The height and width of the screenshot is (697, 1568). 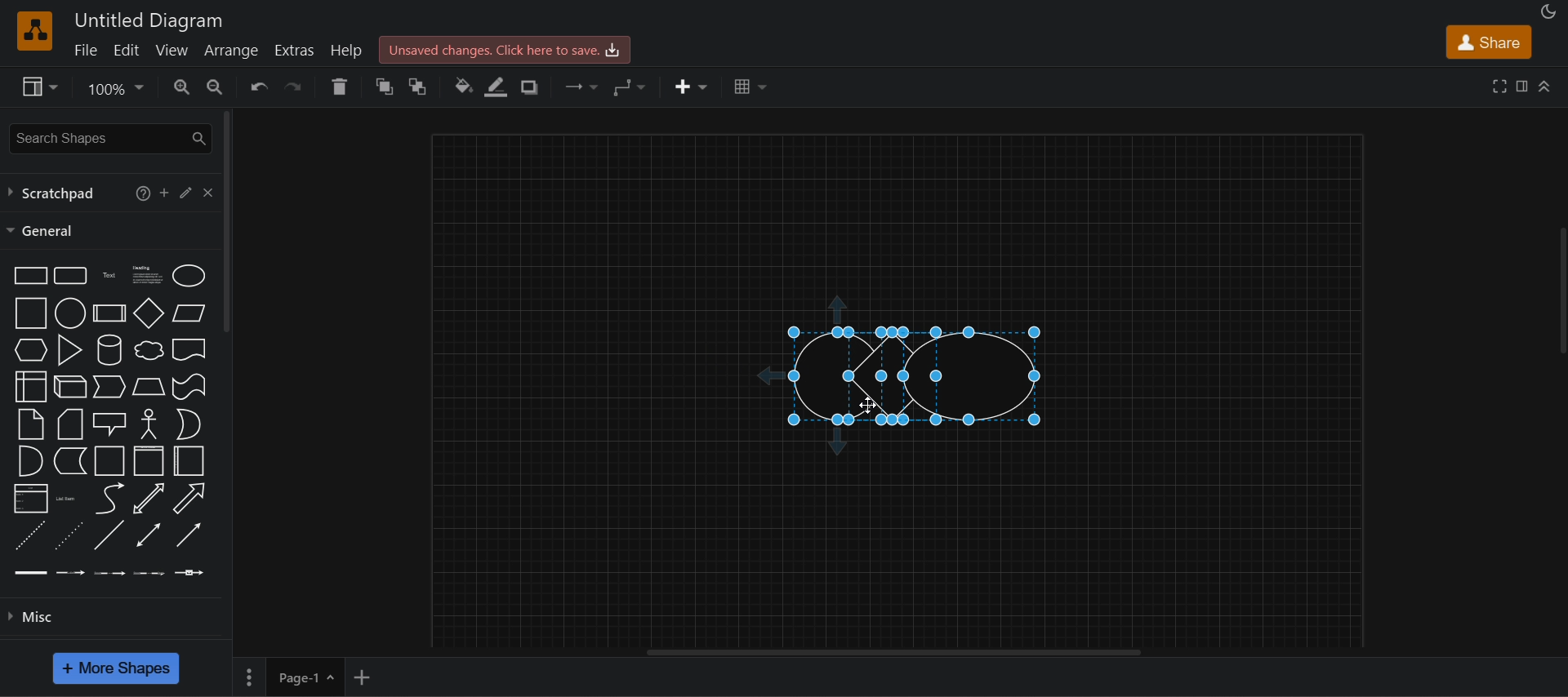 What do you see at coordinates (905, 653) in the screenshot?
I see `horizontal scroll bar` at bounding box center [905, 653].